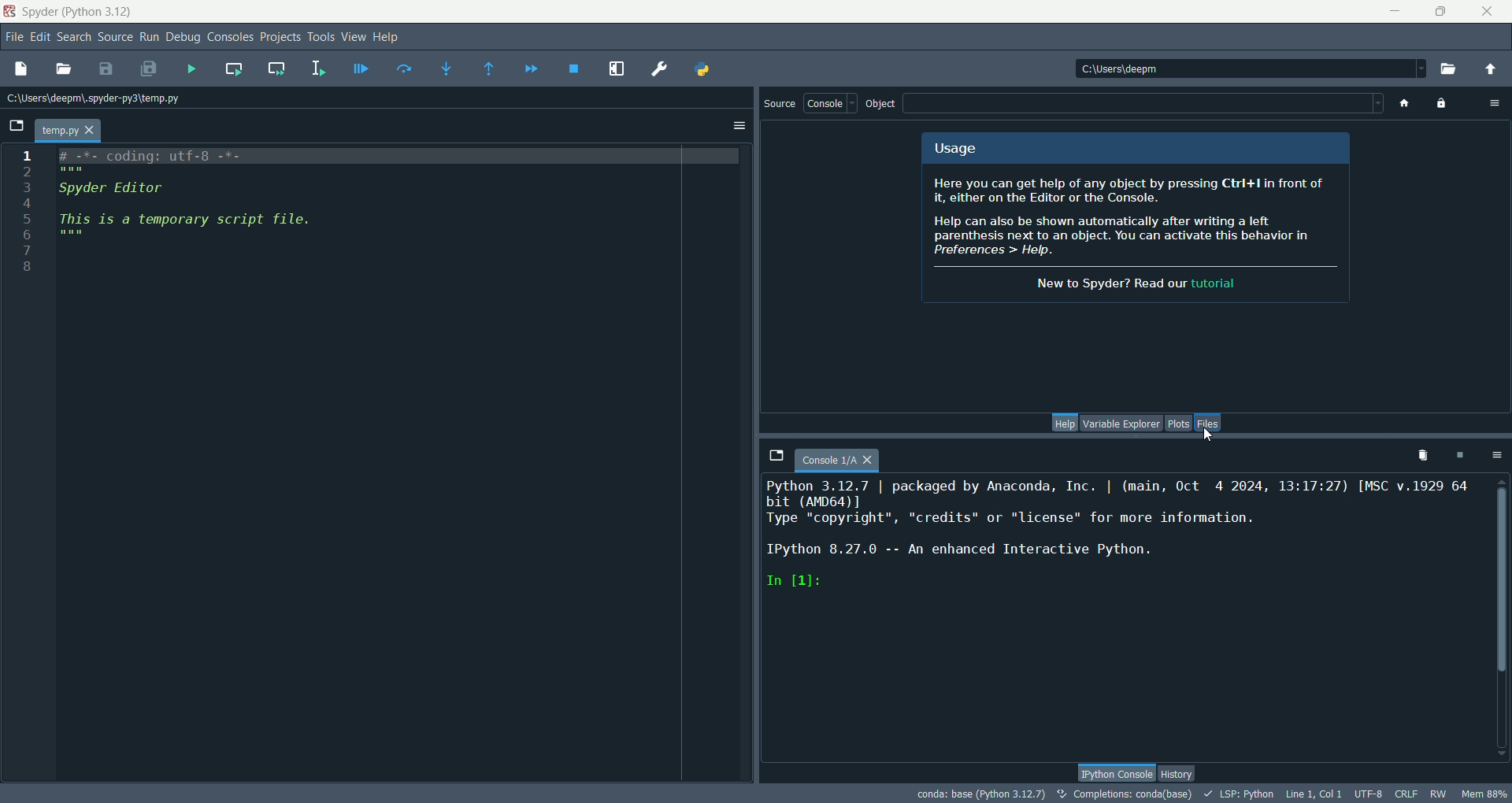  I want to click on remove, so click(1419, 454).